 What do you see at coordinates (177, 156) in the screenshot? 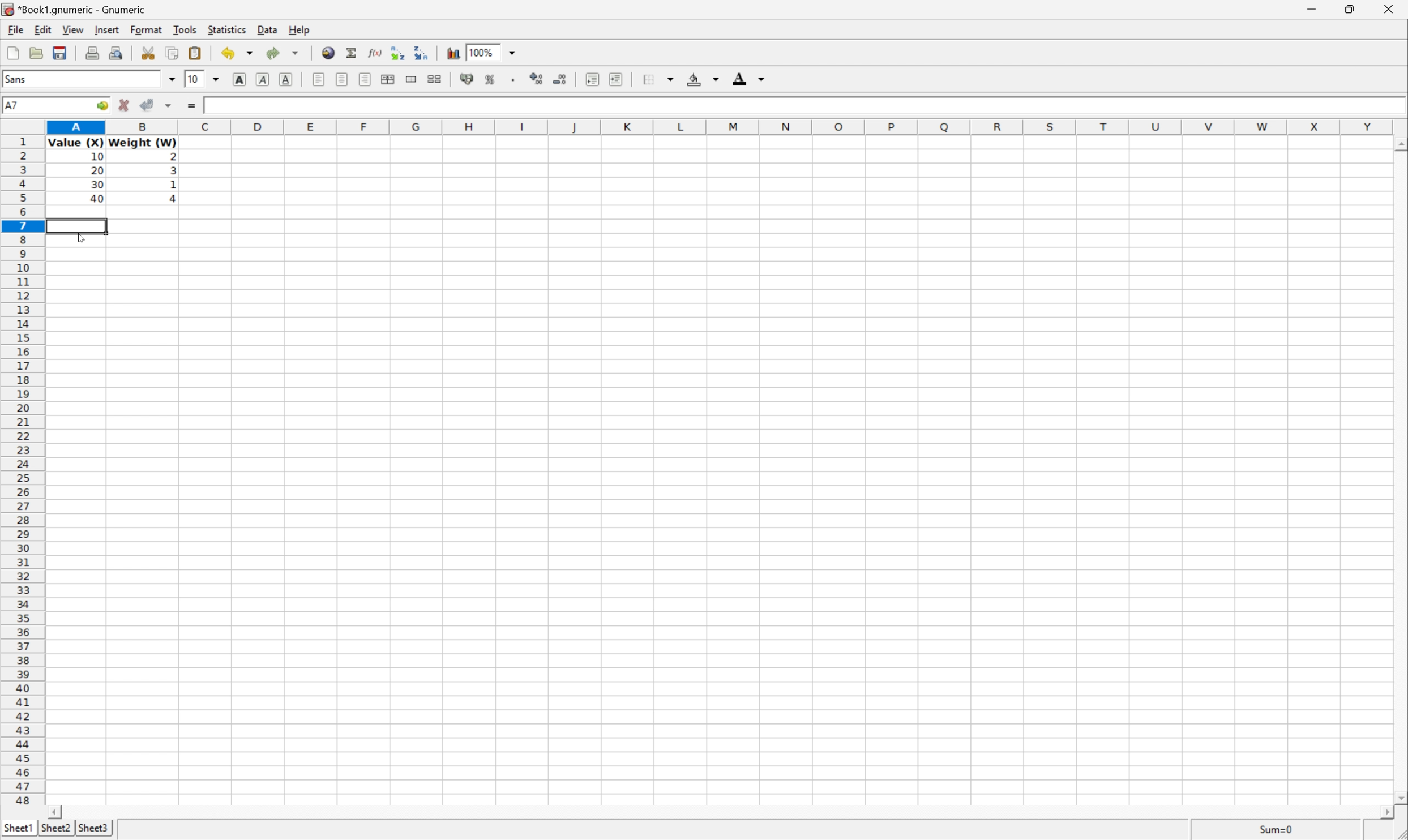
I see `2` at bounding box center [177, 156].